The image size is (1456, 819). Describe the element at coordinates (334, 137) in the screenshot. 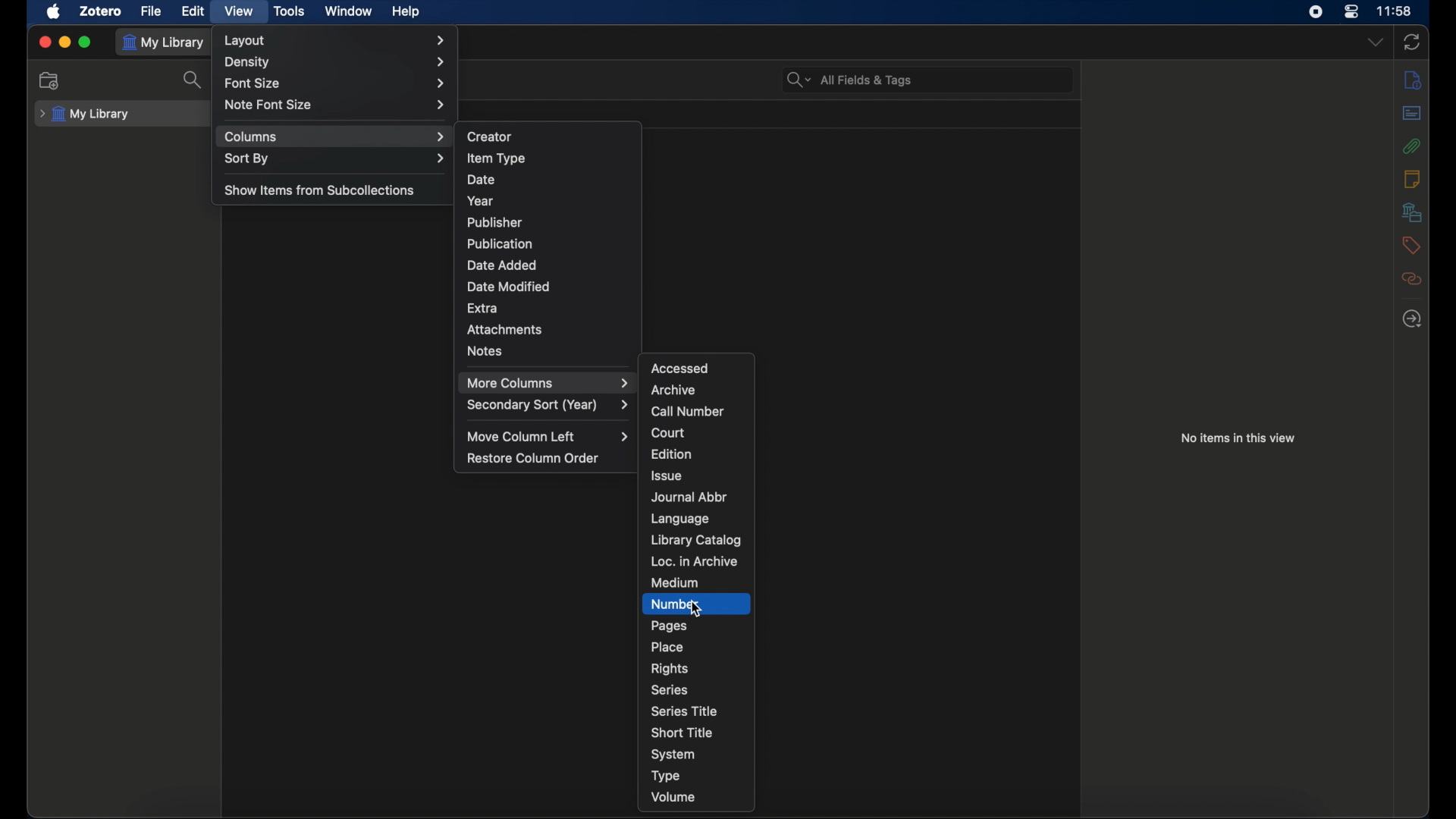

I see `columns` at that location.